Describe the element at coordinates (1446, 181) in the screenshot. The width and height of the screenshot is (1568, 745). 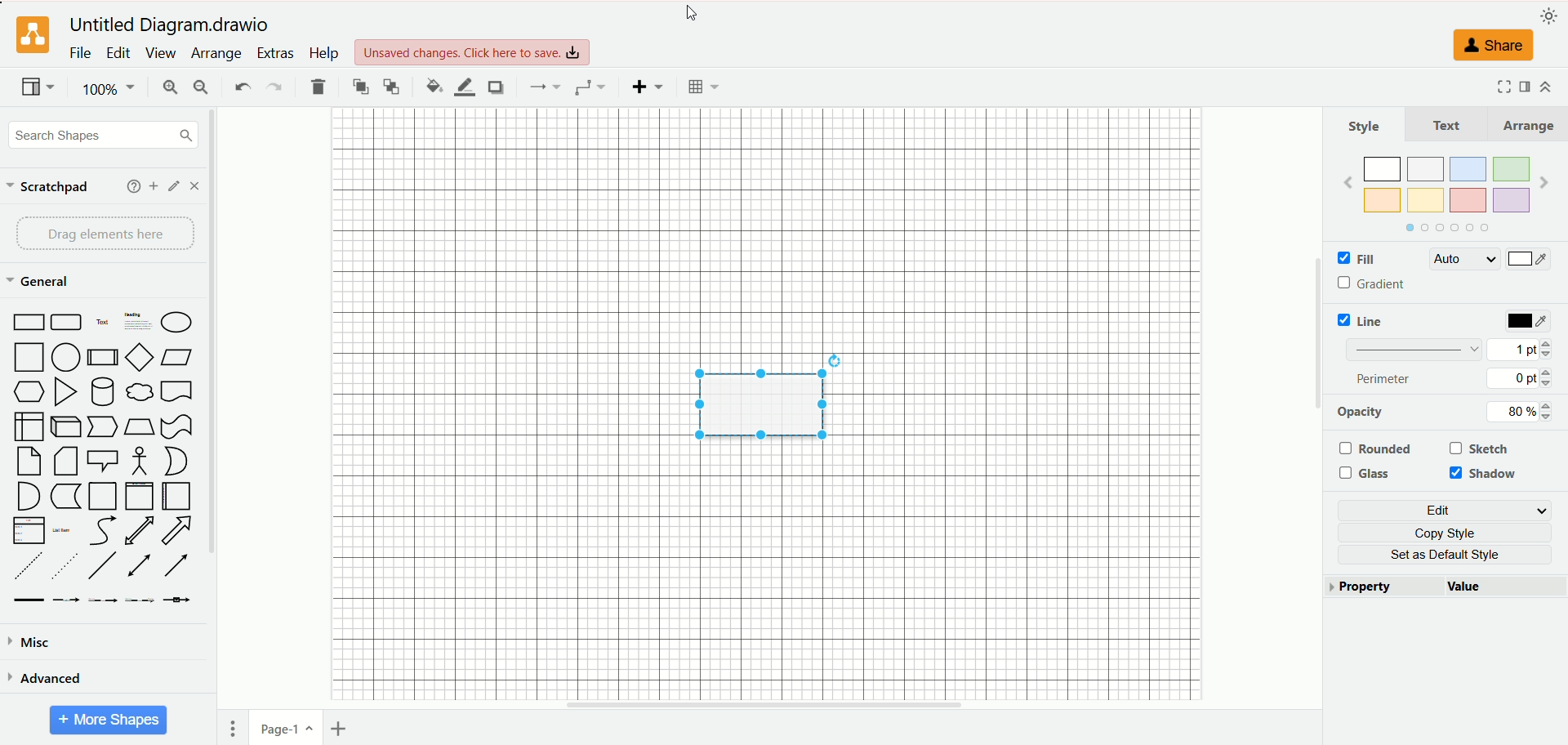
I see `colors` at that location.